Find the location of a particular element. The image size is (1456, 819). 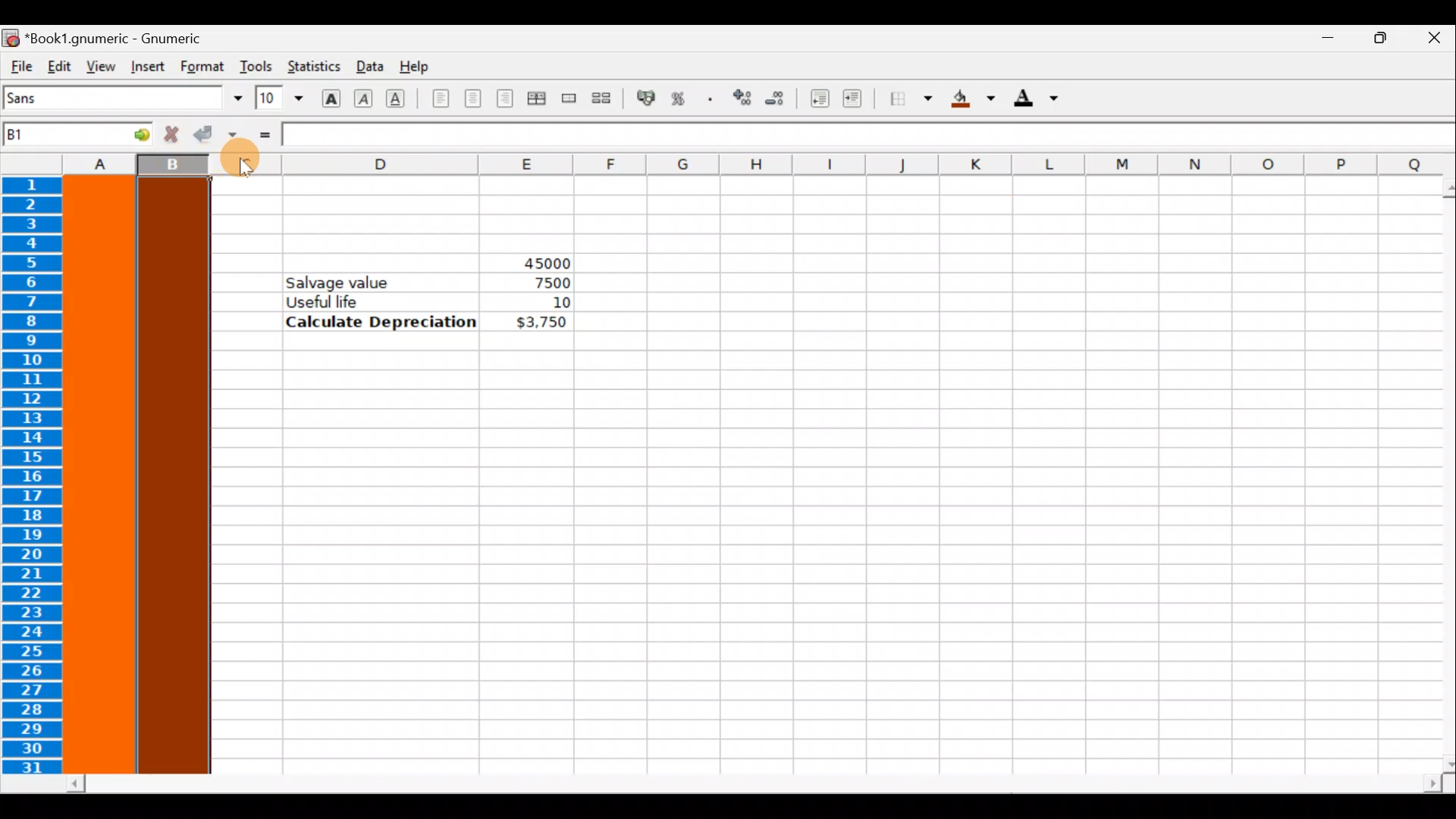

Merge a range of cells is located at coordinates (570, 101).